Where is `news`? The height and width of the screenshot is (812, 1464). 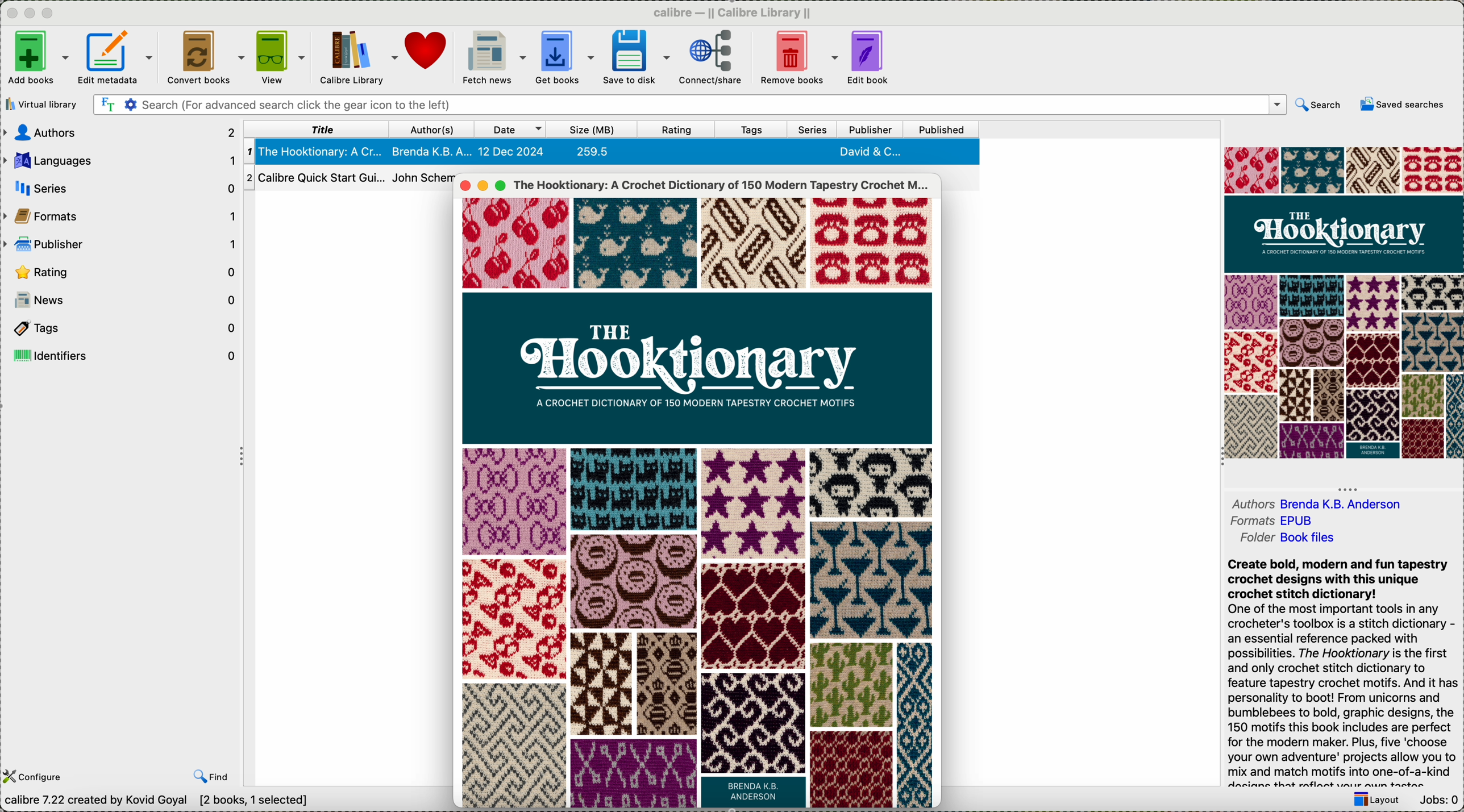 news is located at coordinates (122, 299).